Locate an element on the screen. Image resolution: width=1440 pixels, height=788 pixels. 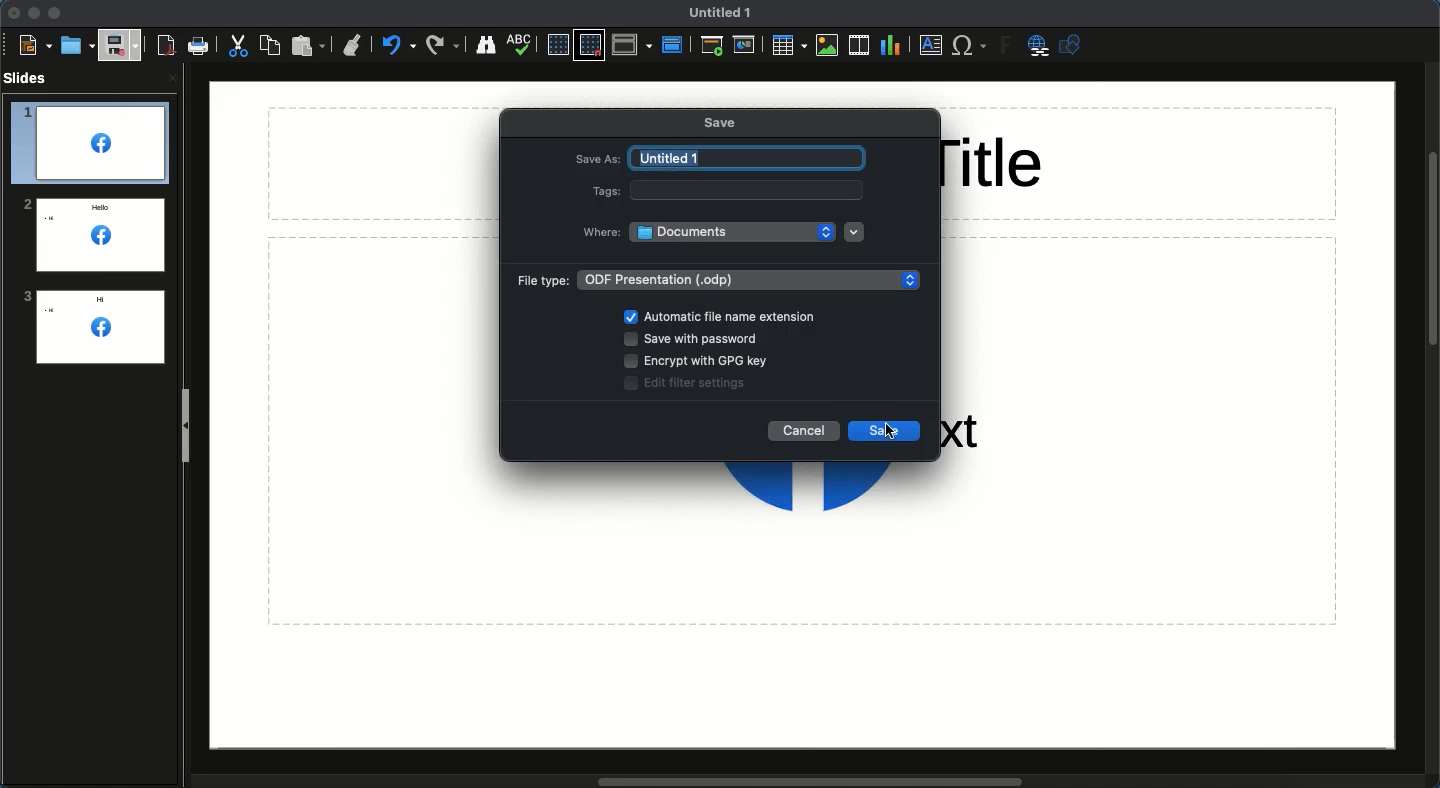
Close is located at coordinates (11, 15).